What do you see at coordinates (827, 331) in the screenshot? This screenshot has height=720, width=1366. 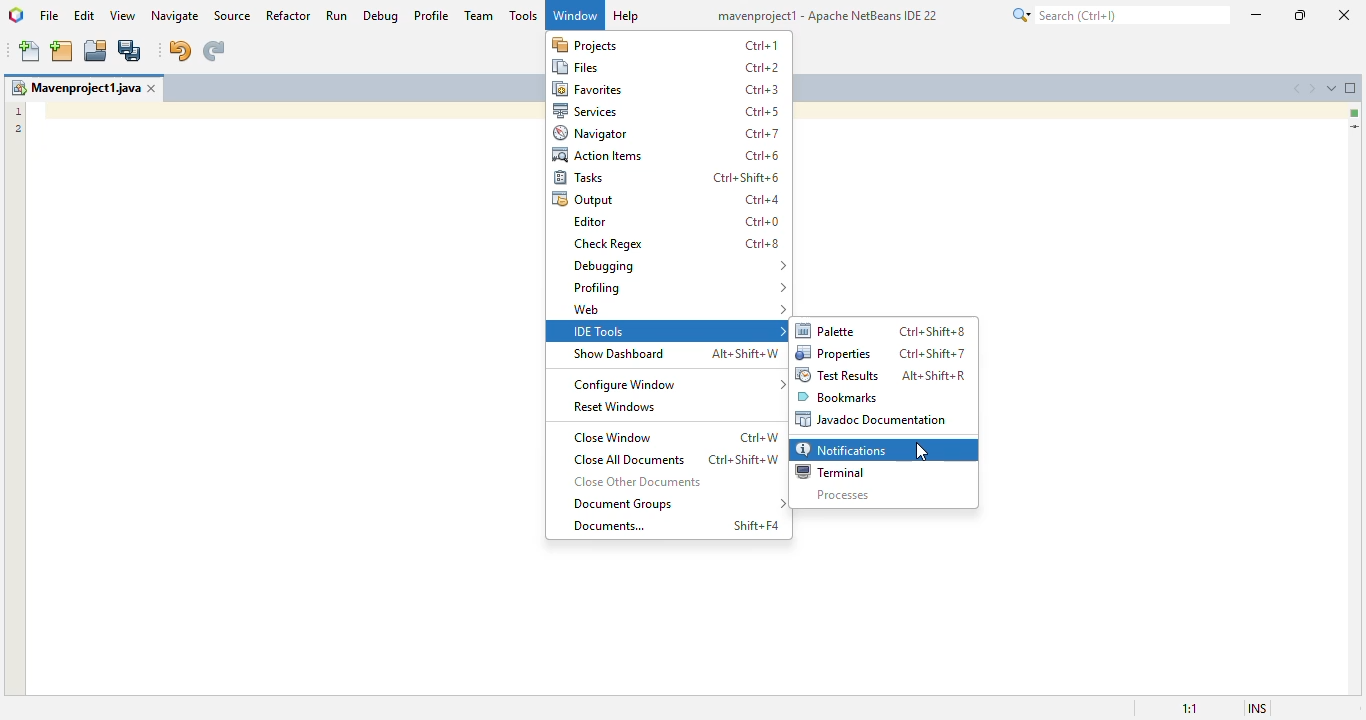 I see `palette` at bounding box center [827, 331].